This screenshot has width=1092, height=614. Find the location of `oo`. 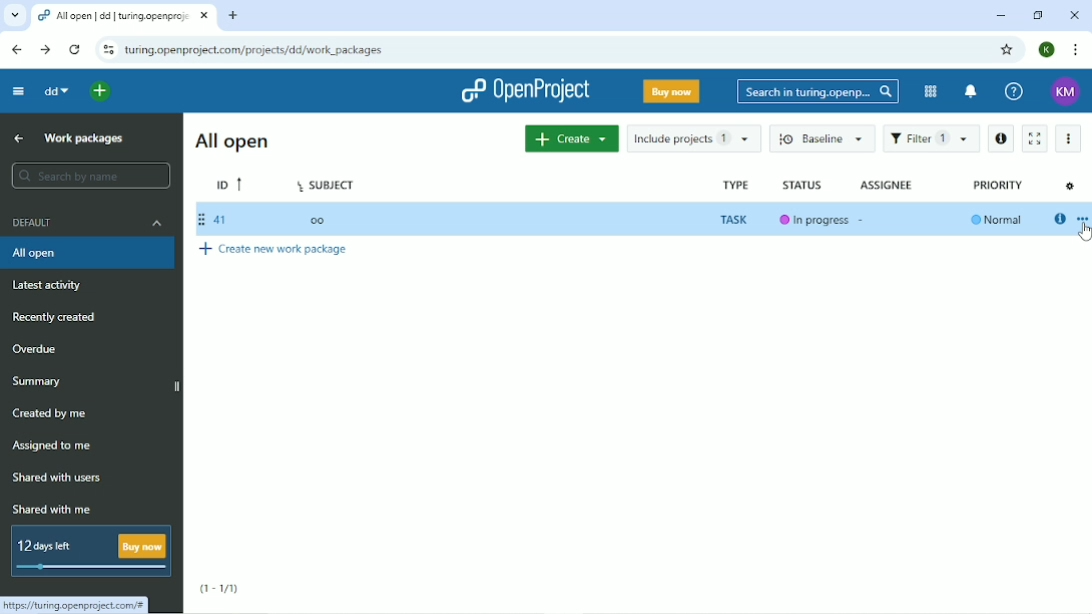

oo is located at coordinates (317, 221).